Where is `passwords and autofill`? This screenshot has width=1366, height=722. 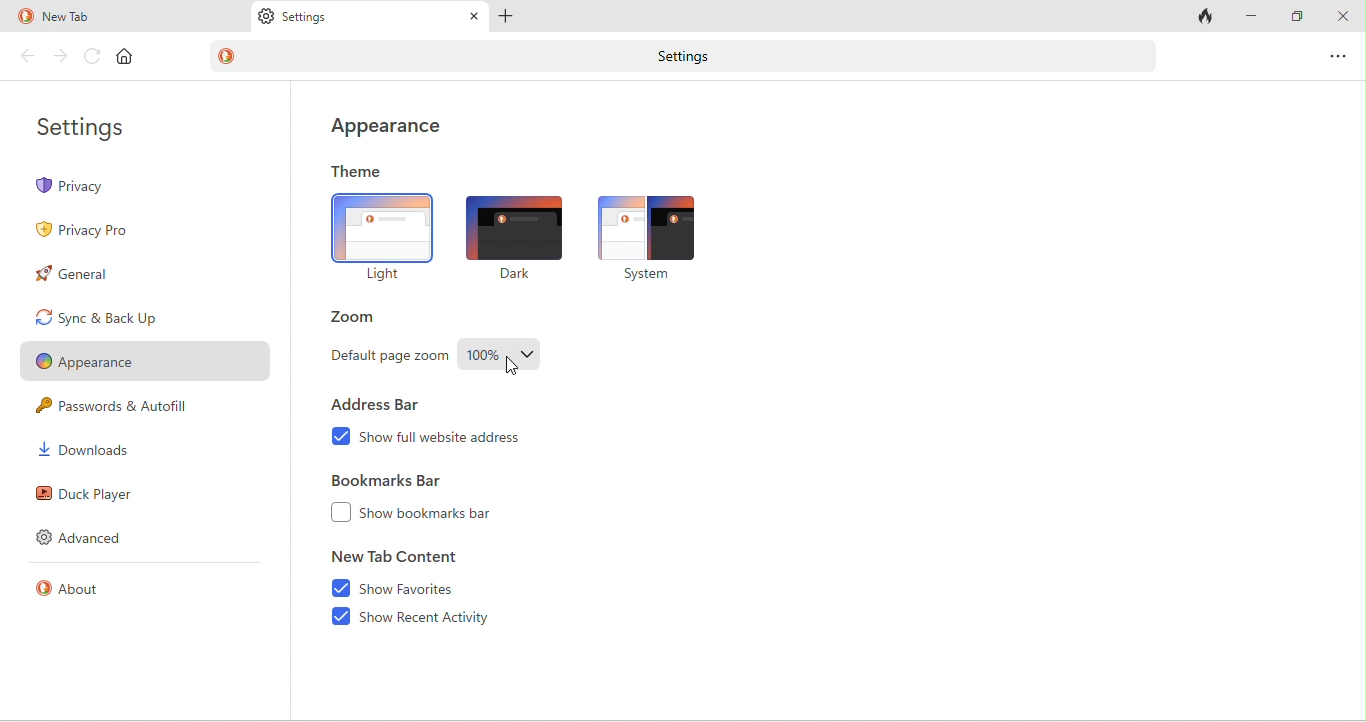 passwords and autofill is located at coordinates (128, 409).